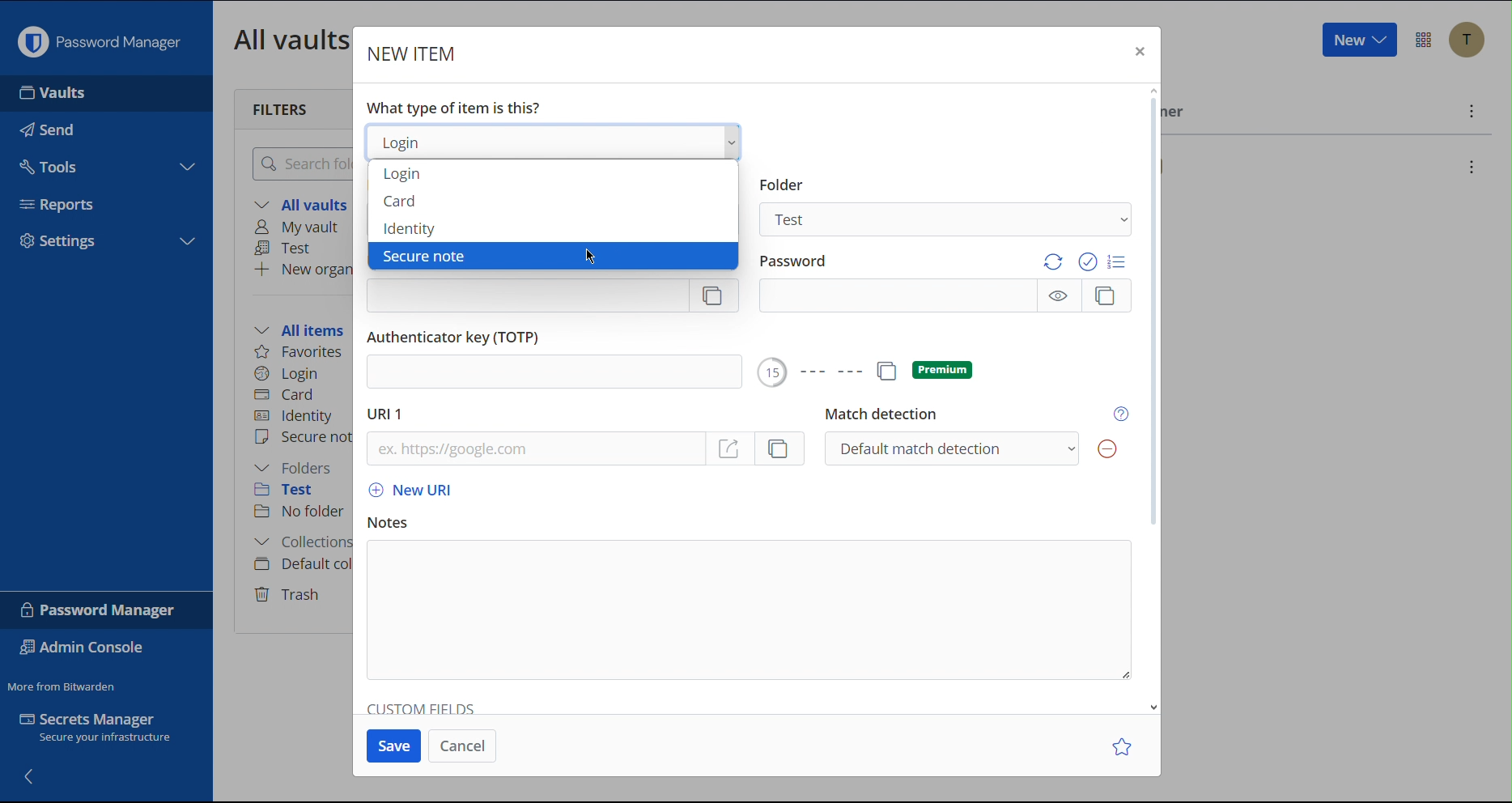  What do you see at coordinates (302, 439) in the screenshot?
I see `Secure` at bounding box center [302, 439].